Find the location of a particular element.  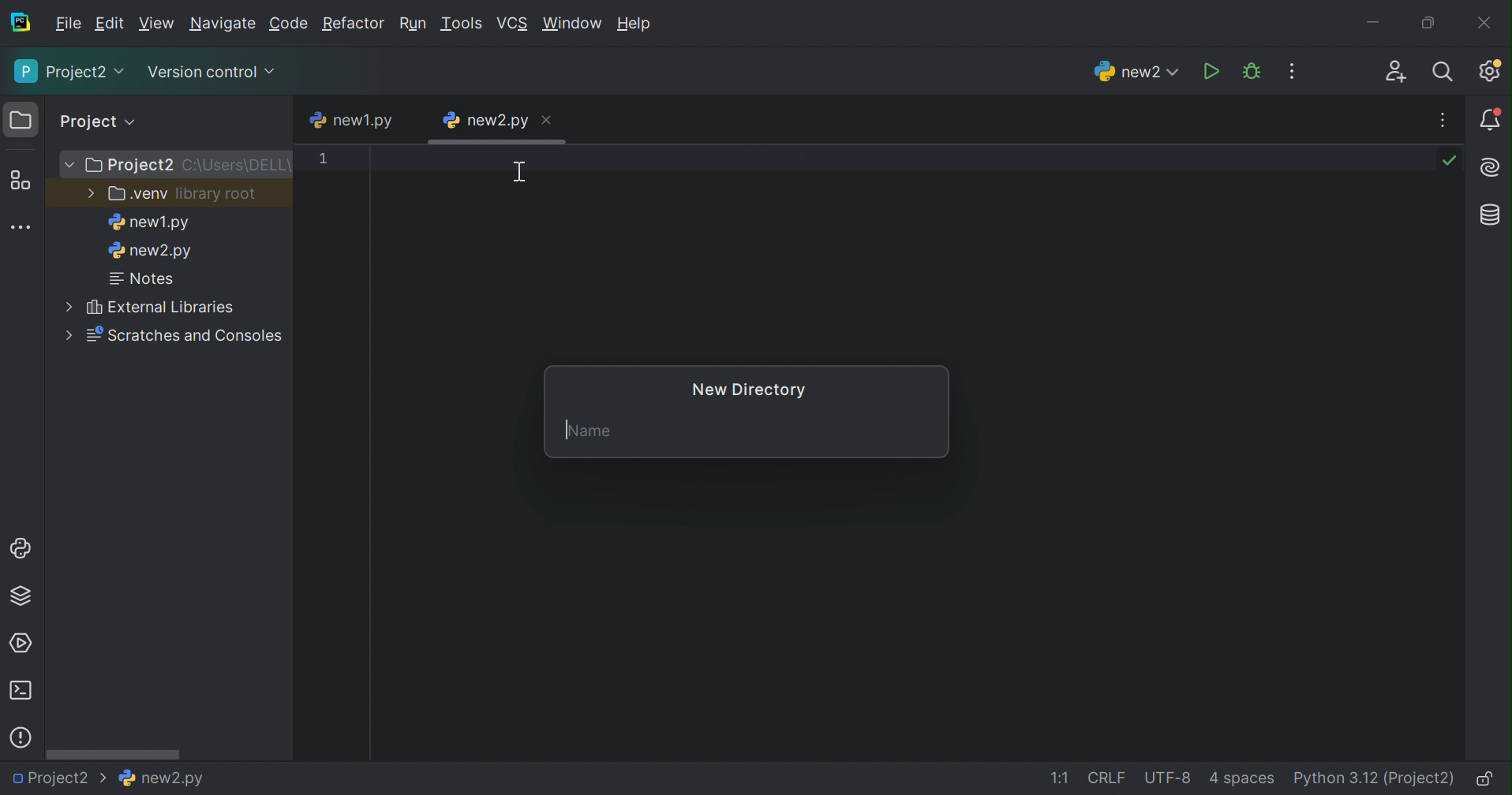

Python 3.12 (Project) is located at coordinates (1375, 778).